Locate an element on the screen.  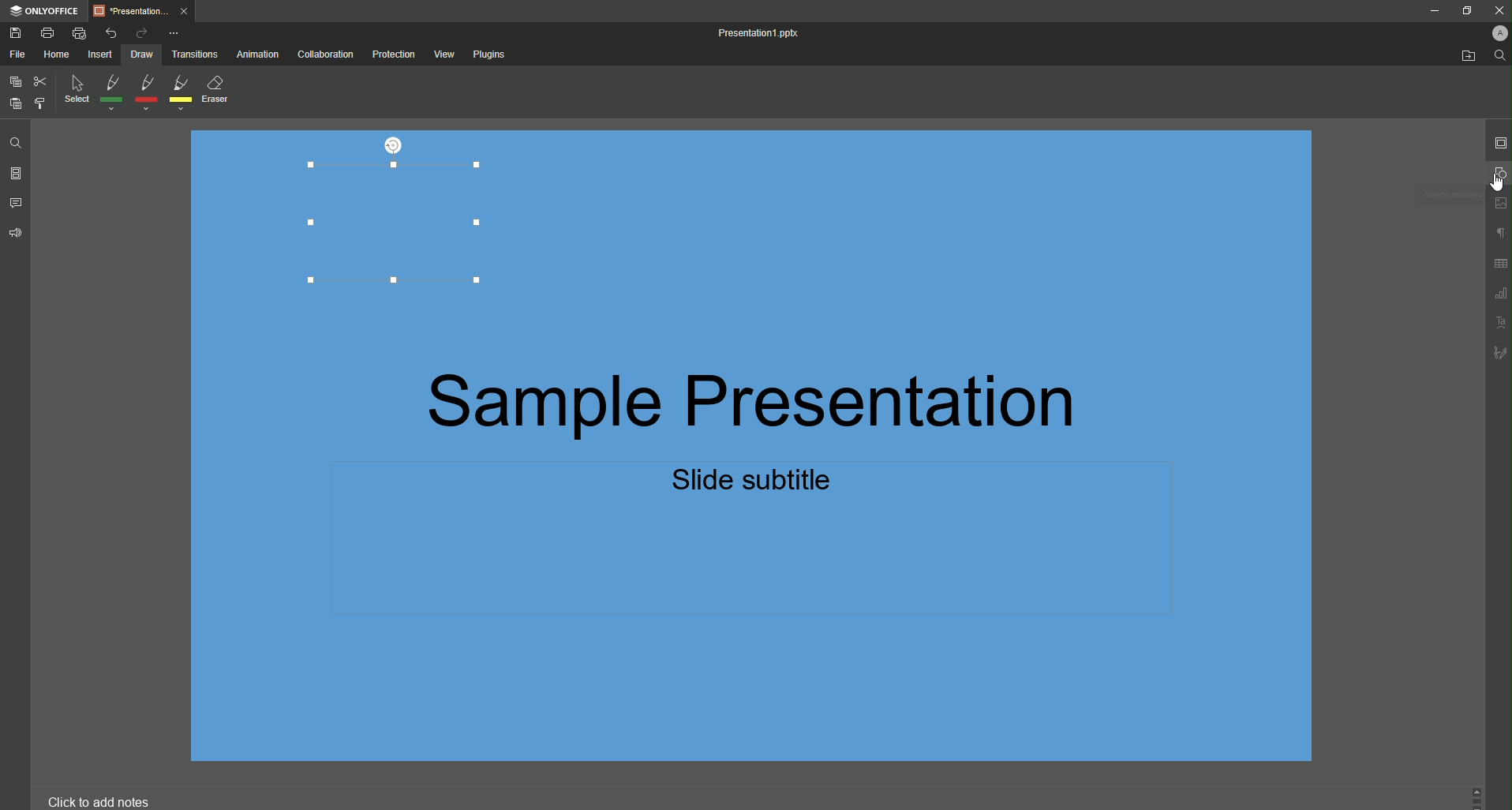
Copy is located at coordinates (13, 82).